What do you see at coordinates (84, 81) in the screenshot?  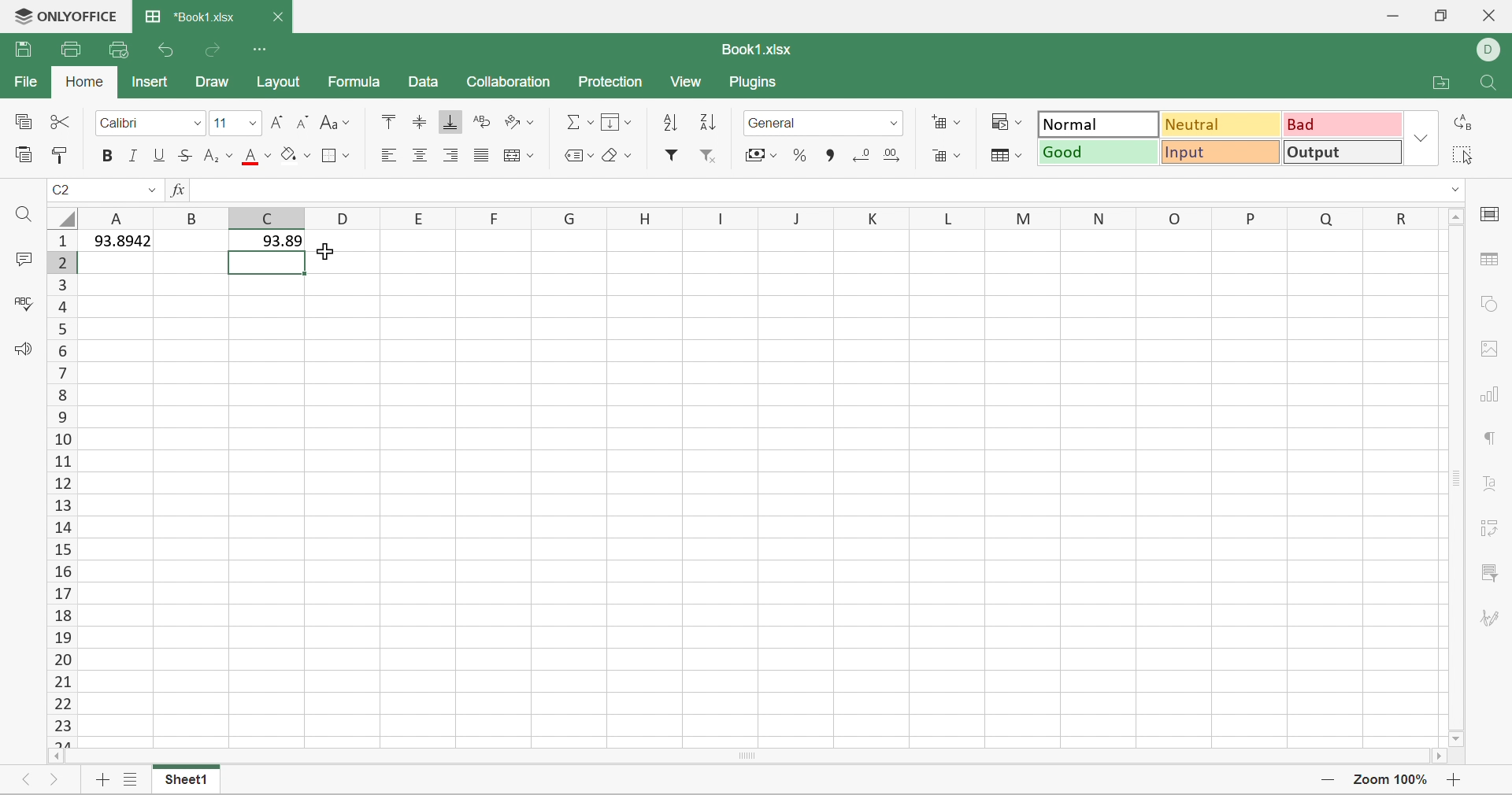 I see `Home` at bounding box center [84, 81].